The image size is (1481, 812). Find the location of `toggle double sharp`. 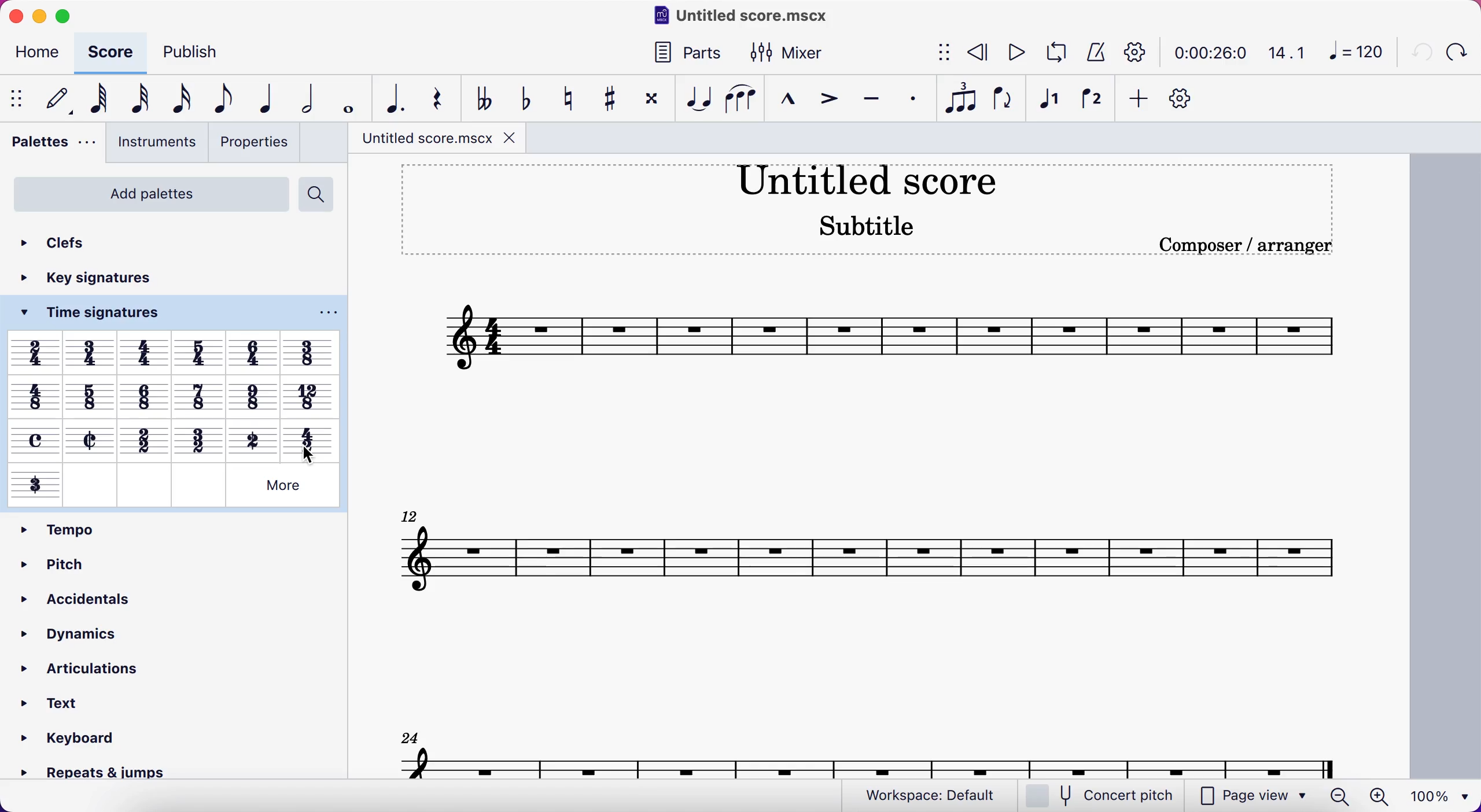

toggle double sharp is located at coordinates (651, 95).